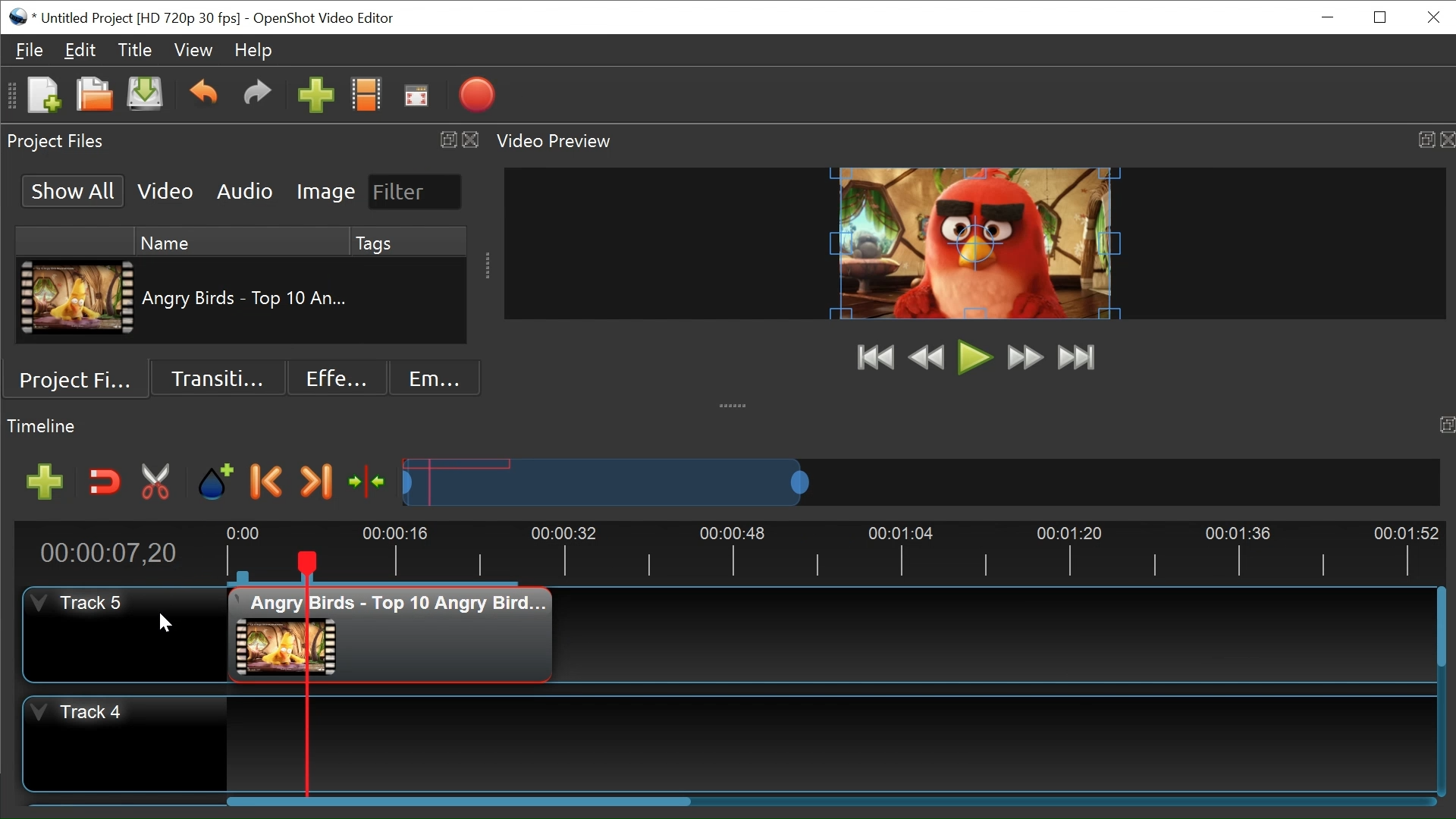 Image resolution: width=1456 pixels, height=819 pixels. Describe the element at coordinates (331, 18) in the screenshot. I see `OpenShot Video Editor` at that location.